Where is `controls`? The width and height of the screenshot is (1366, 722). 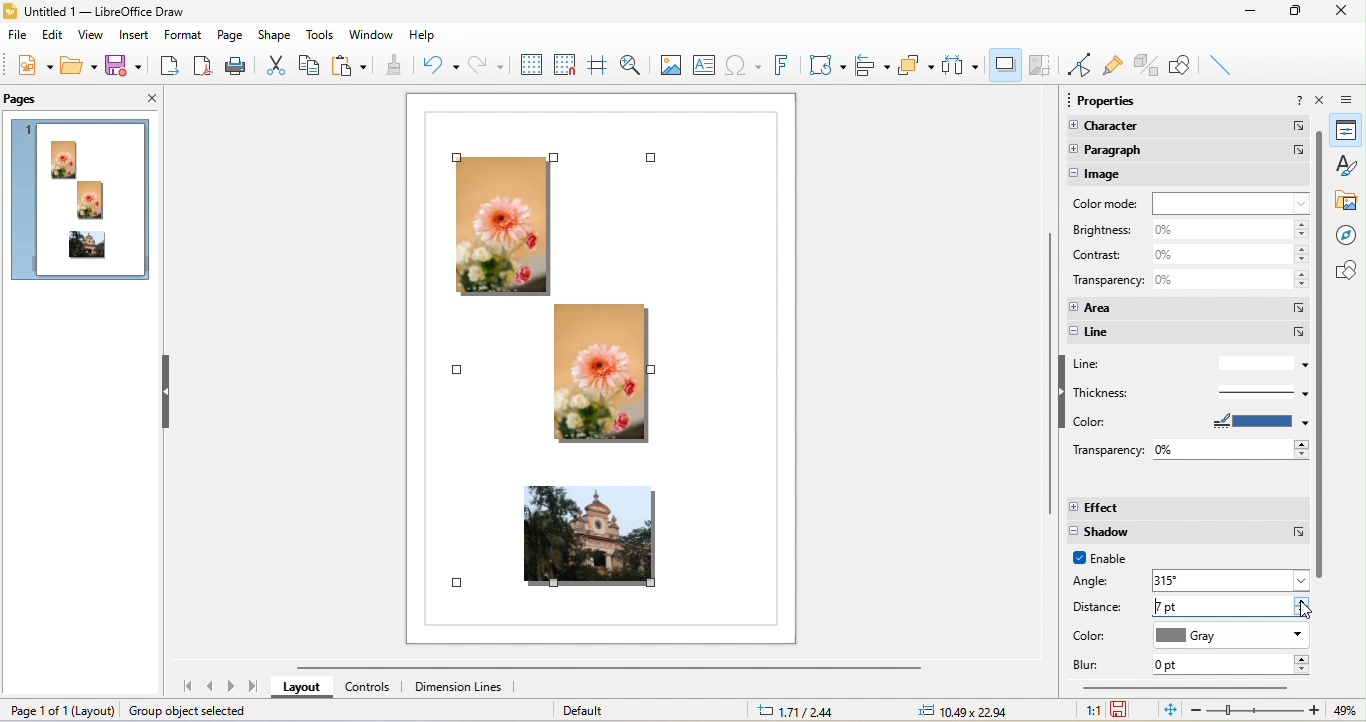 controls is located at coordinates (374, 687).